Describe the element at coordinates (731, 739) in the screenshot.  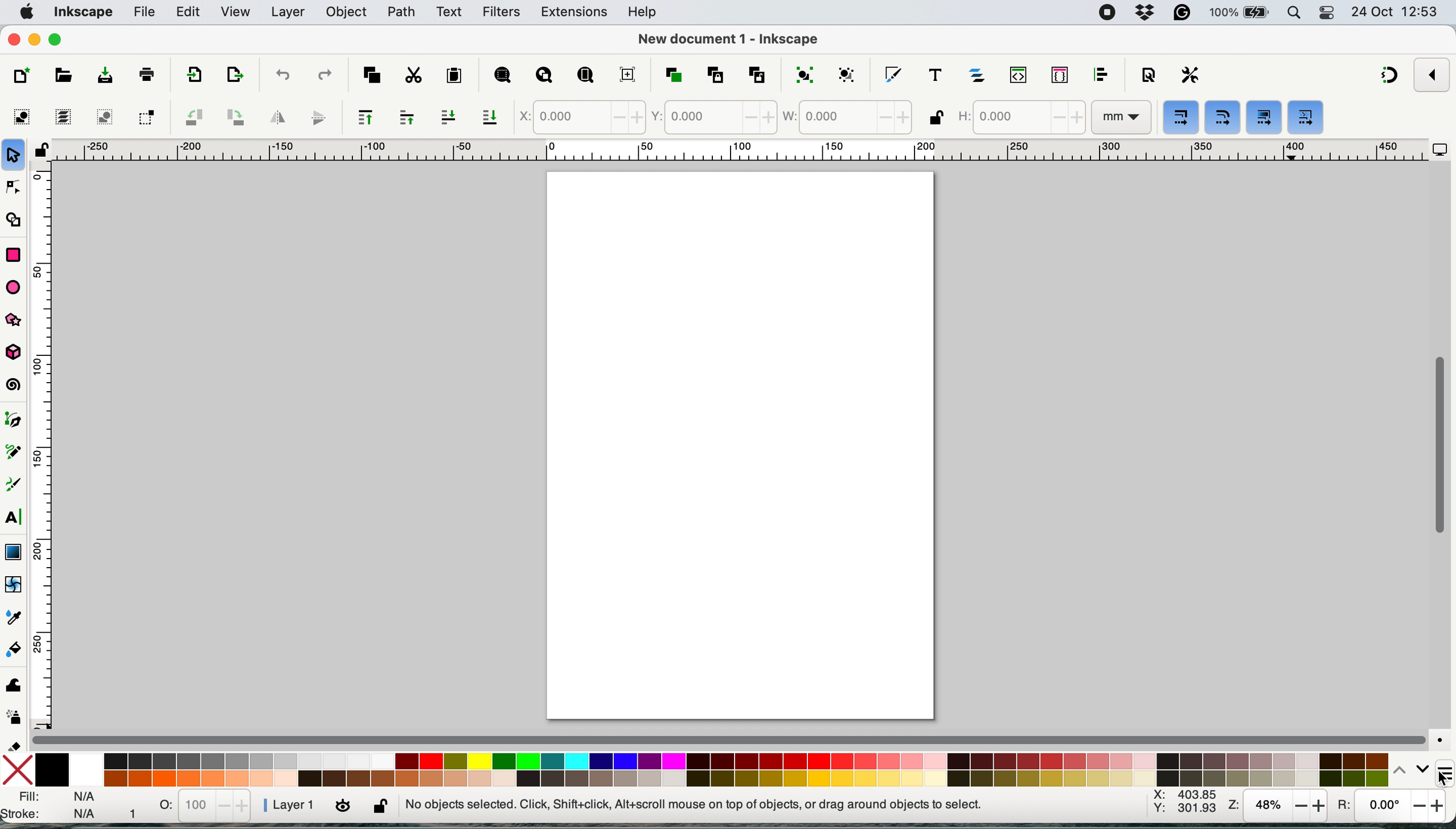
I see `horizontal scroll bar` at that location.